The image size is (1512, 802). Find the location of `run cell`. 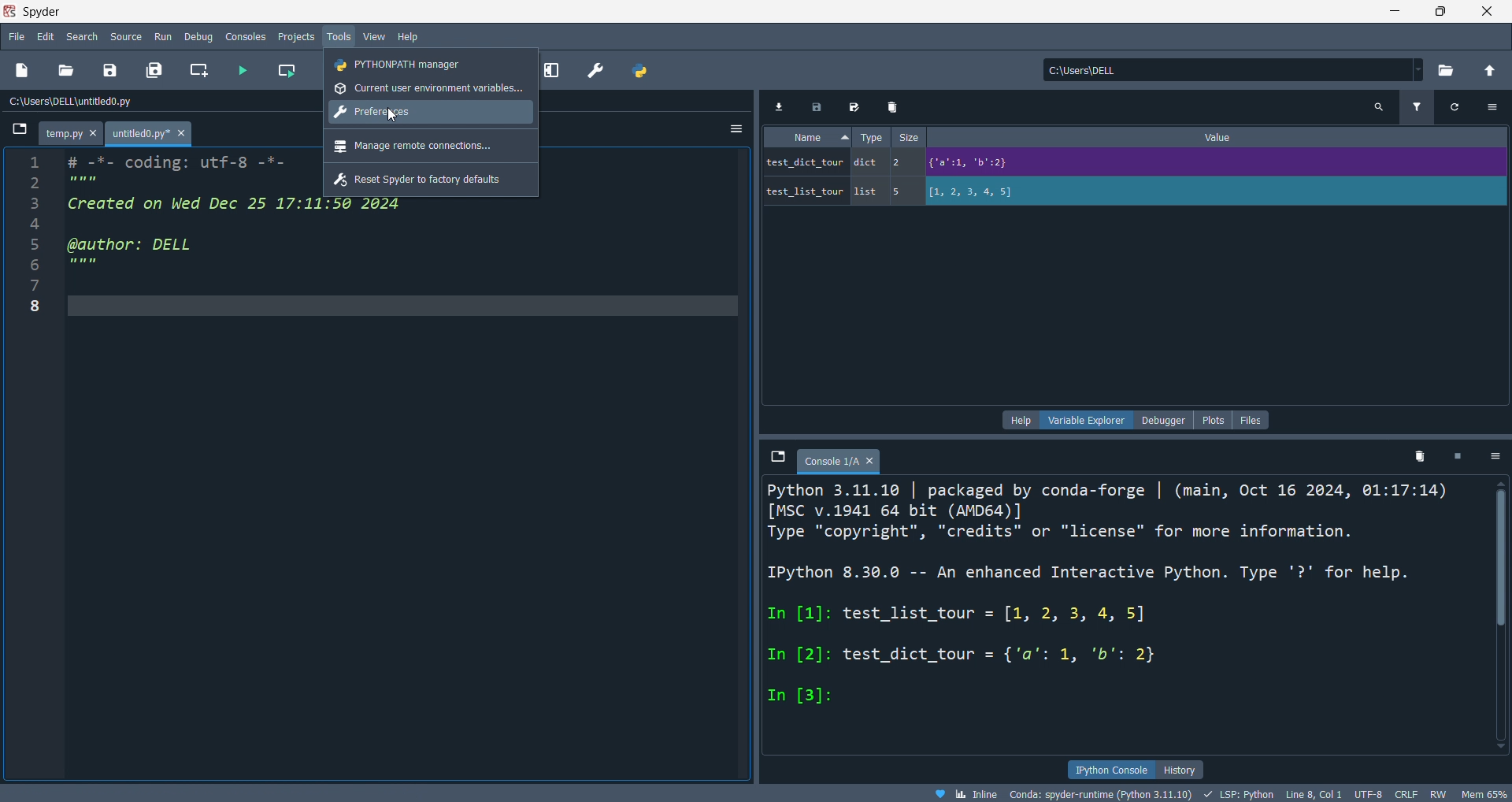

run cell is located at coordinates (290, 70).